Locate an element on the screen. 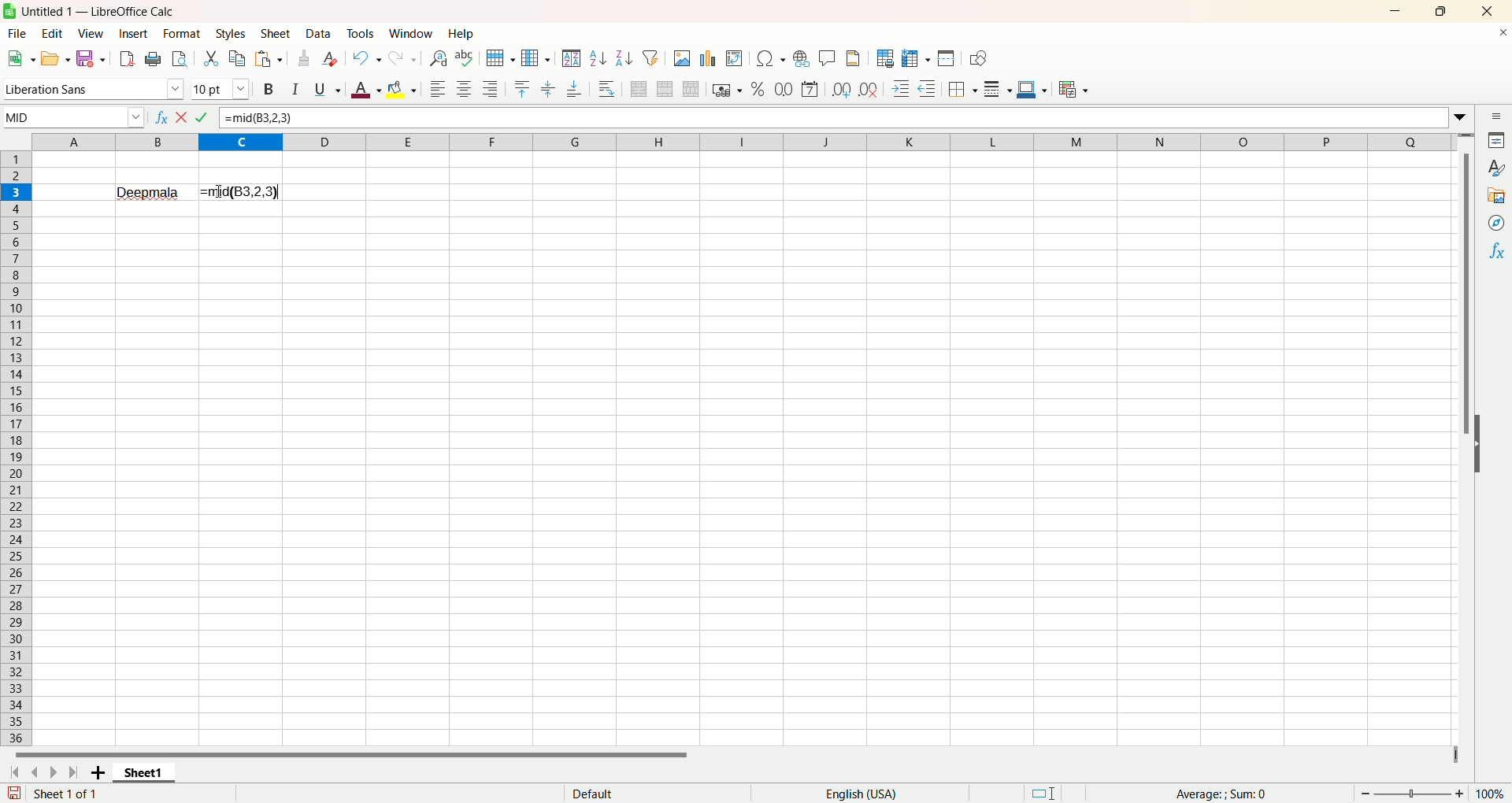 The width and height of the screenshot is (1512, 803). View is located at coordinates (93, 35).